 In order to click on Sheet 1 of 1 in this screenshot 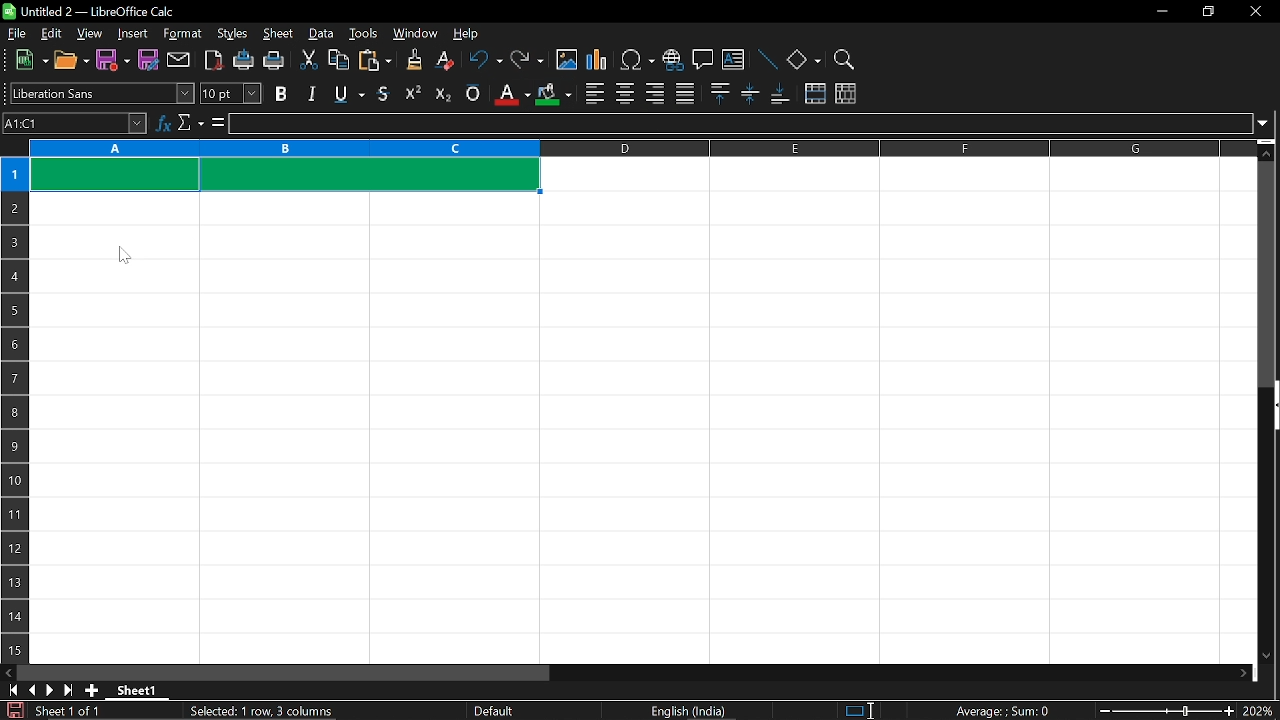, I will do `click(68, 711)`.